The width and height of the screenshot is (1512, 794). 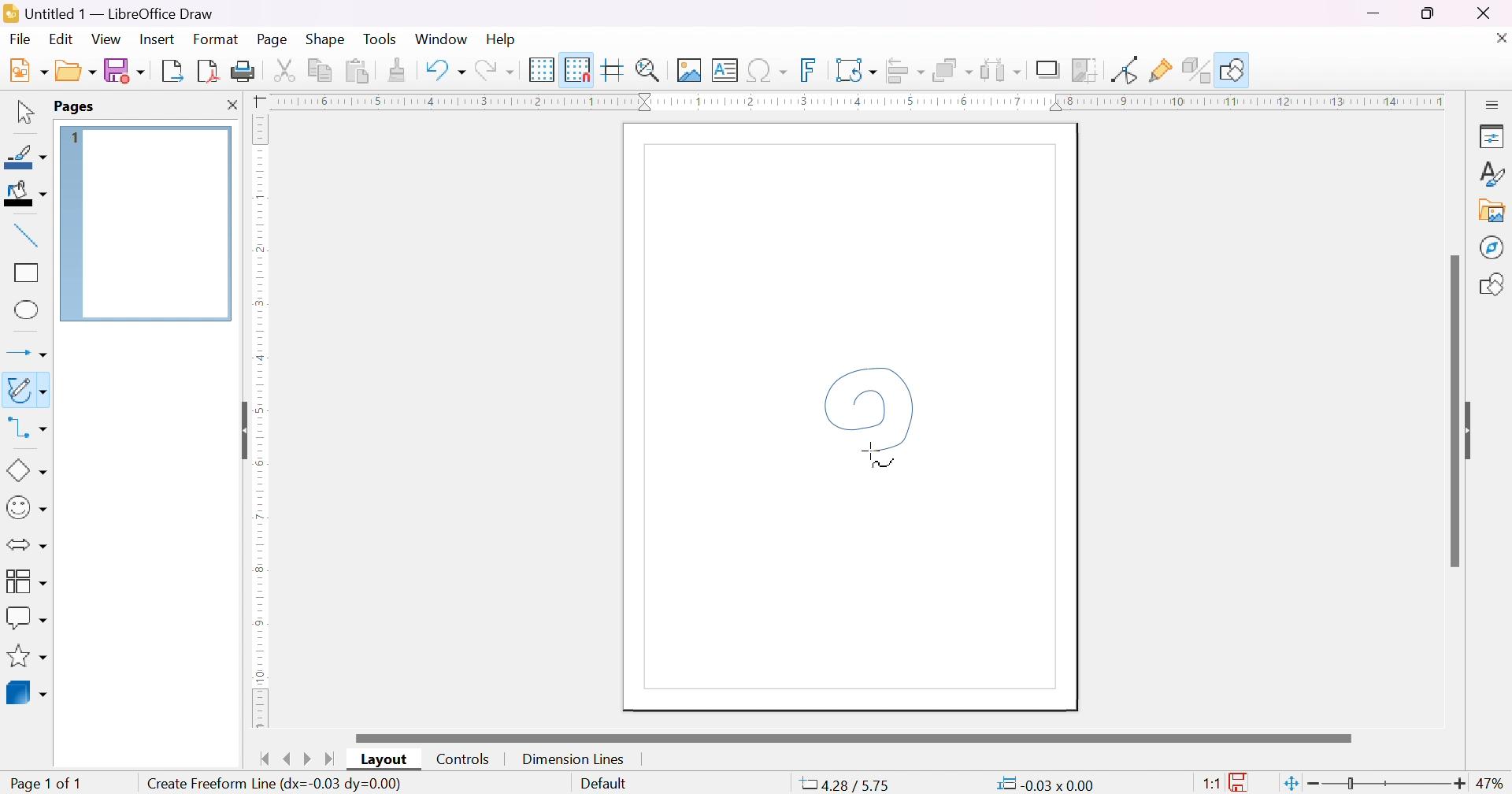 I want to click on restore down, so click(x=1429, y=13).